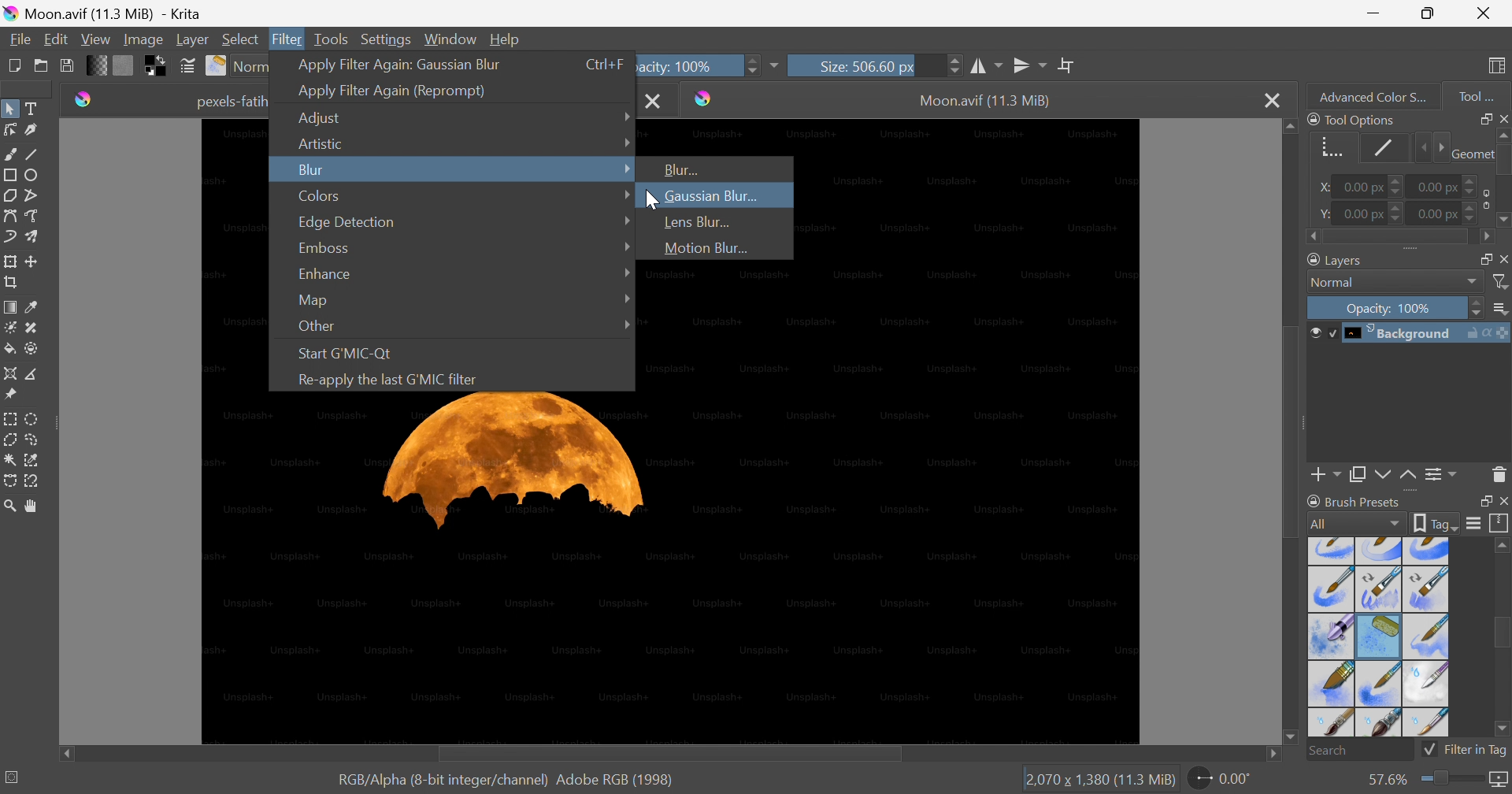  What do you see at coordinates (12, 153) in the screenshot?
I see `Freehand brush tool` at bounding box center [12, 153].